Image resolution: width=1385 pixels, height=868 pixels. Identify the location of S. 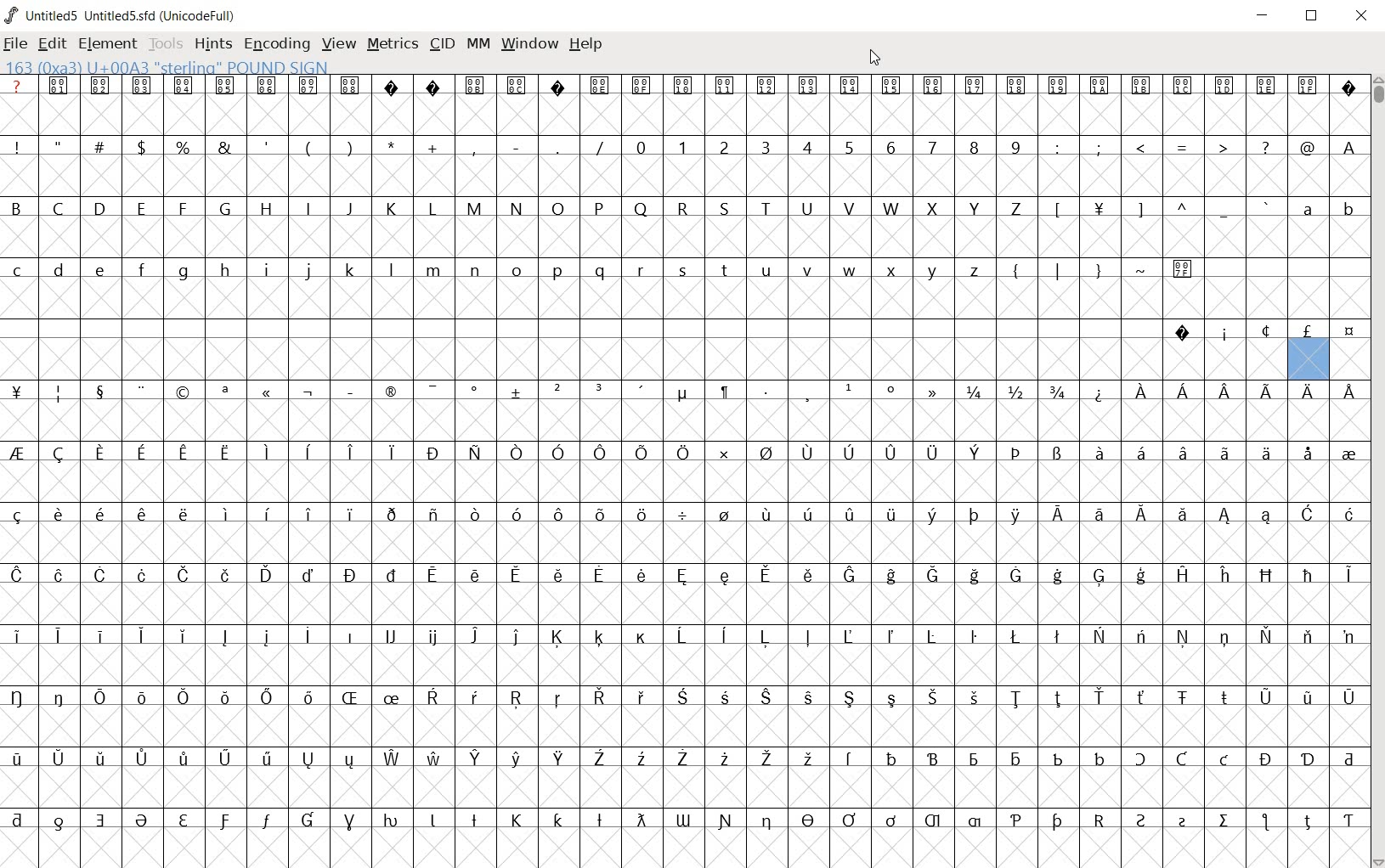
(726, 208).